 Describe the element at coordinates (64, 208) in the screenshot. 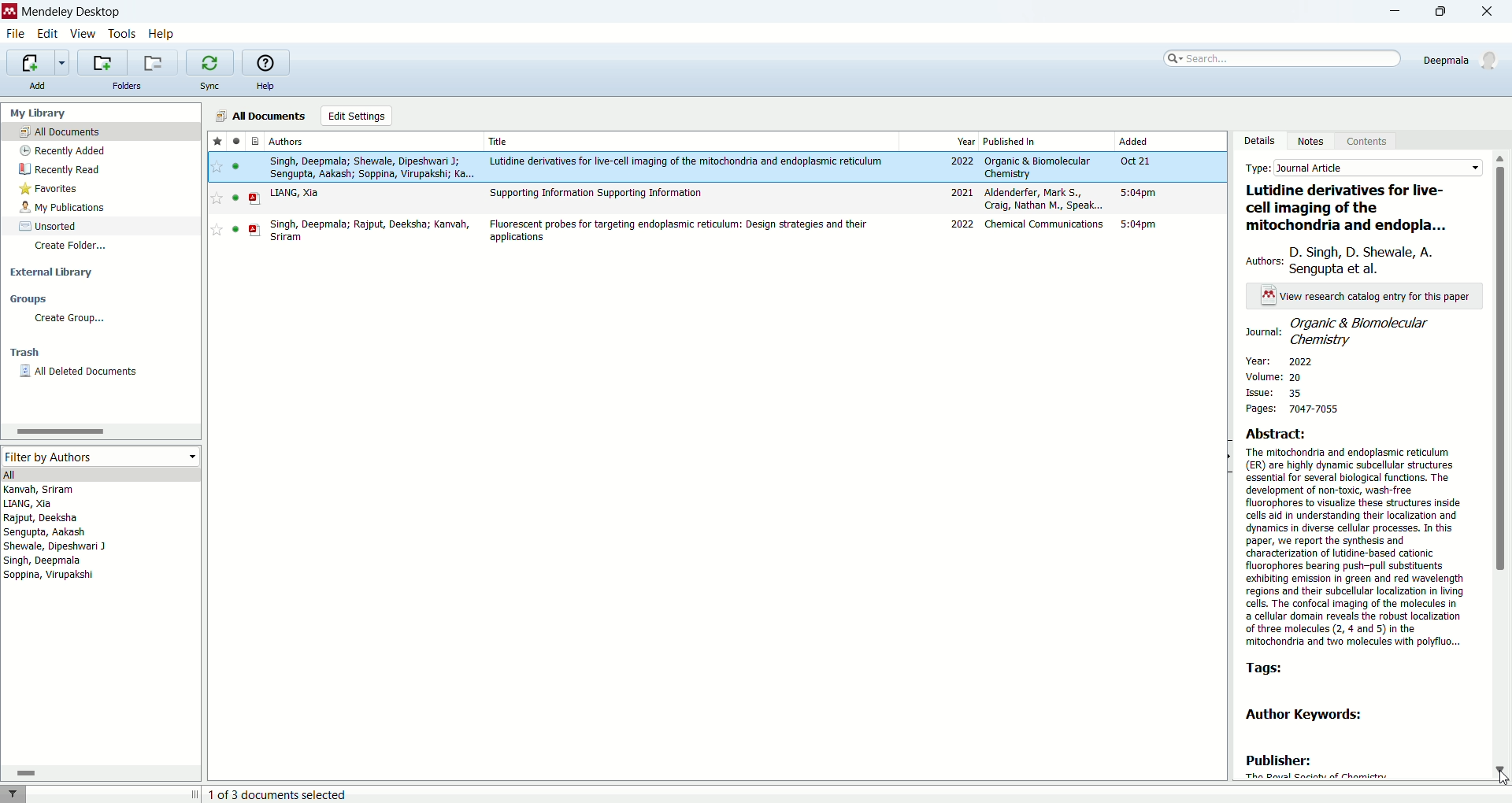

I see `my publications` at that location.